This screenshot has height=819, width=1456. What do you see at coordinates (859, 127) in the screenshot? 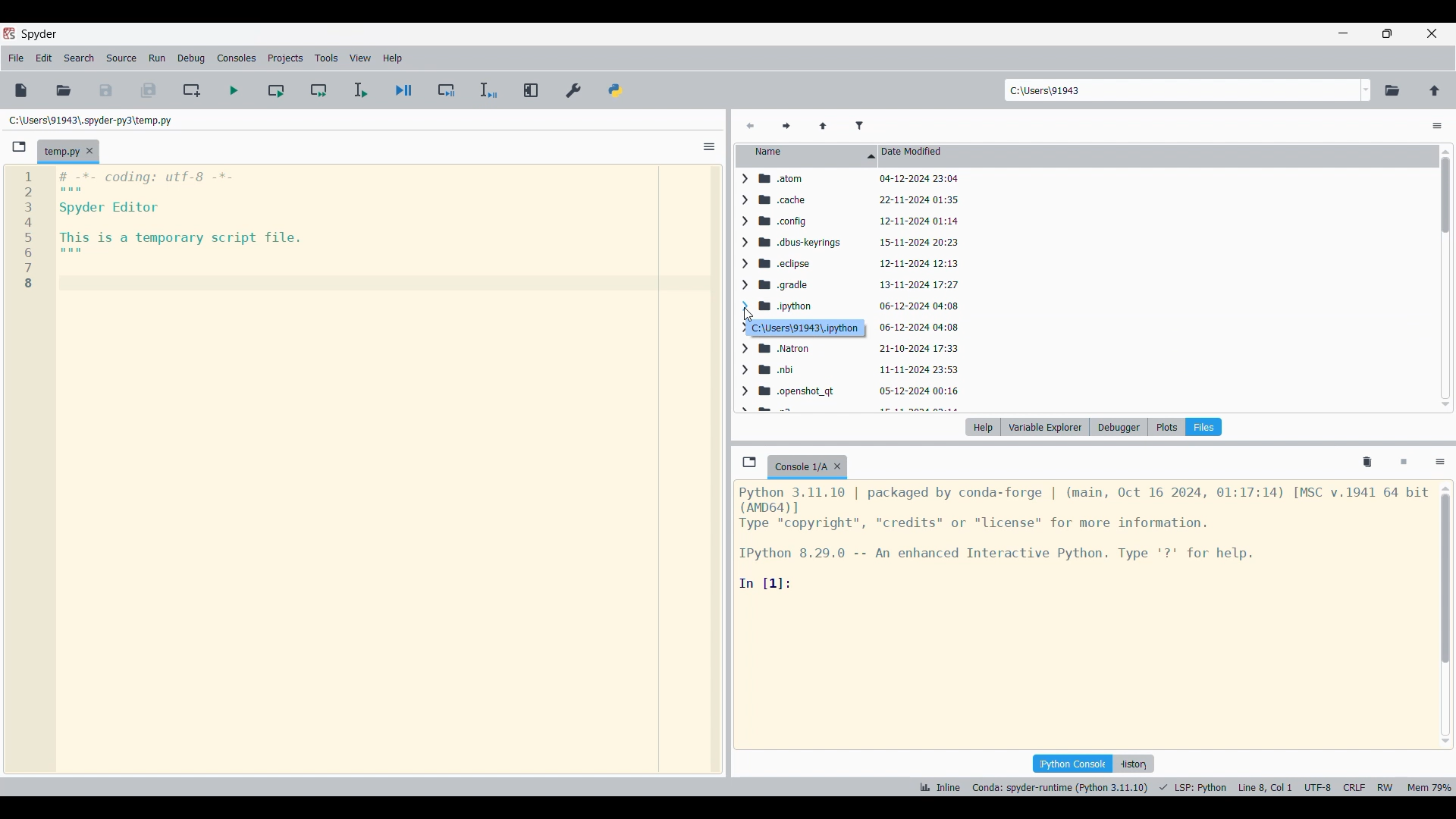
I see `Filter` at bounding box center [859, 127].